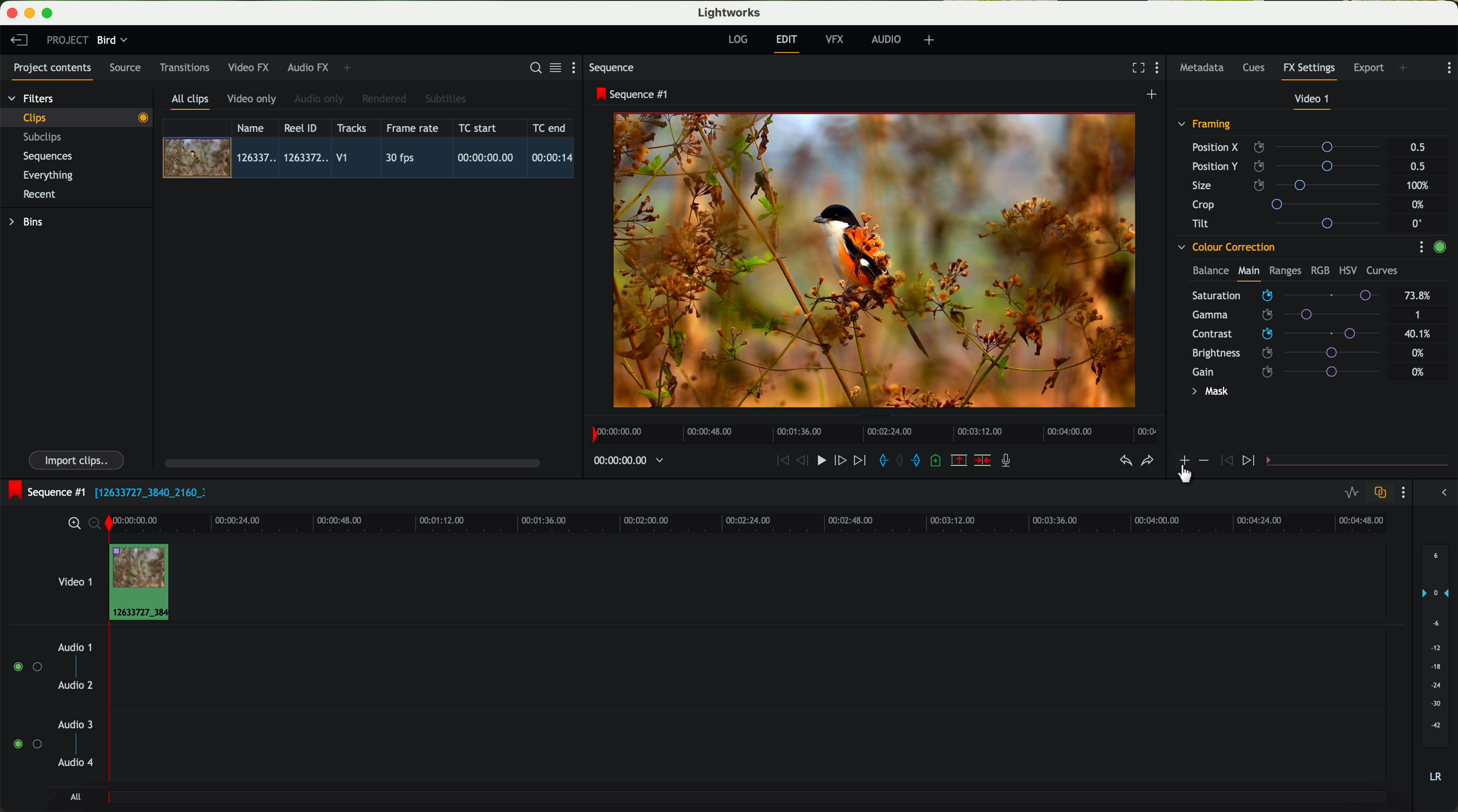  What do you see at coordinates (53, 71) in the screenshot?
I see `project contents` at bounding box center [53, 71].